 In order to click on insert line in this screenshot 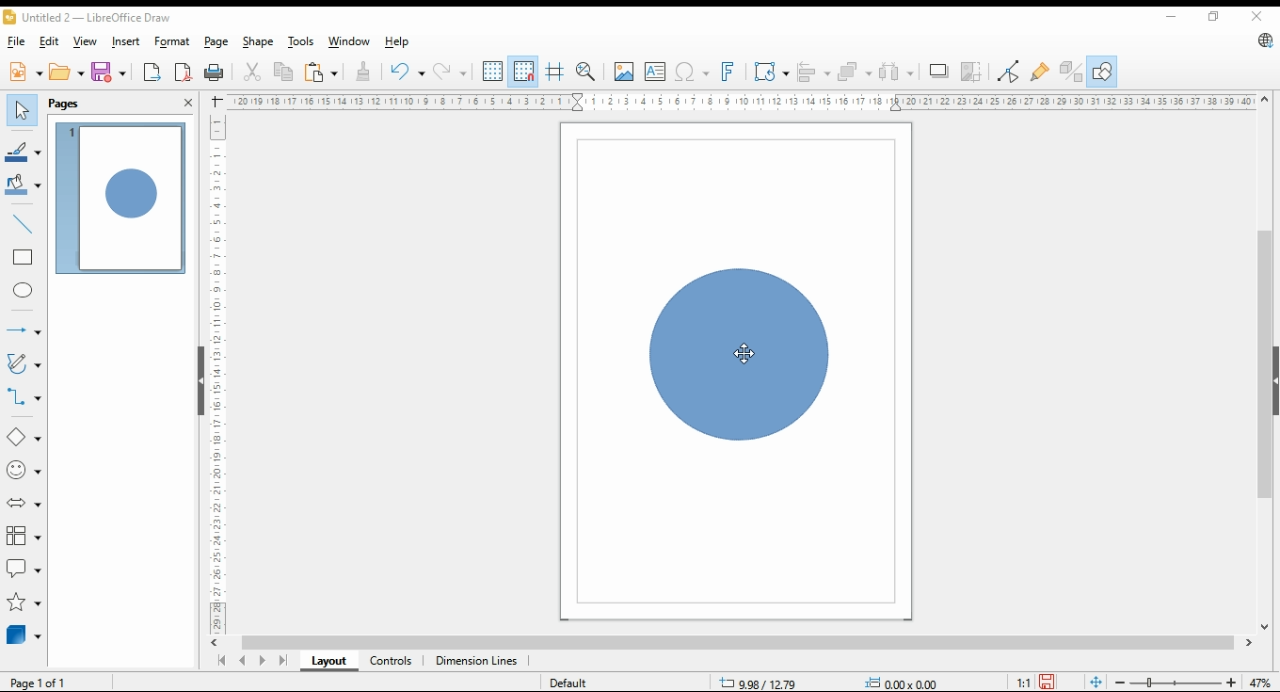, I will do `click(24, 225)`.